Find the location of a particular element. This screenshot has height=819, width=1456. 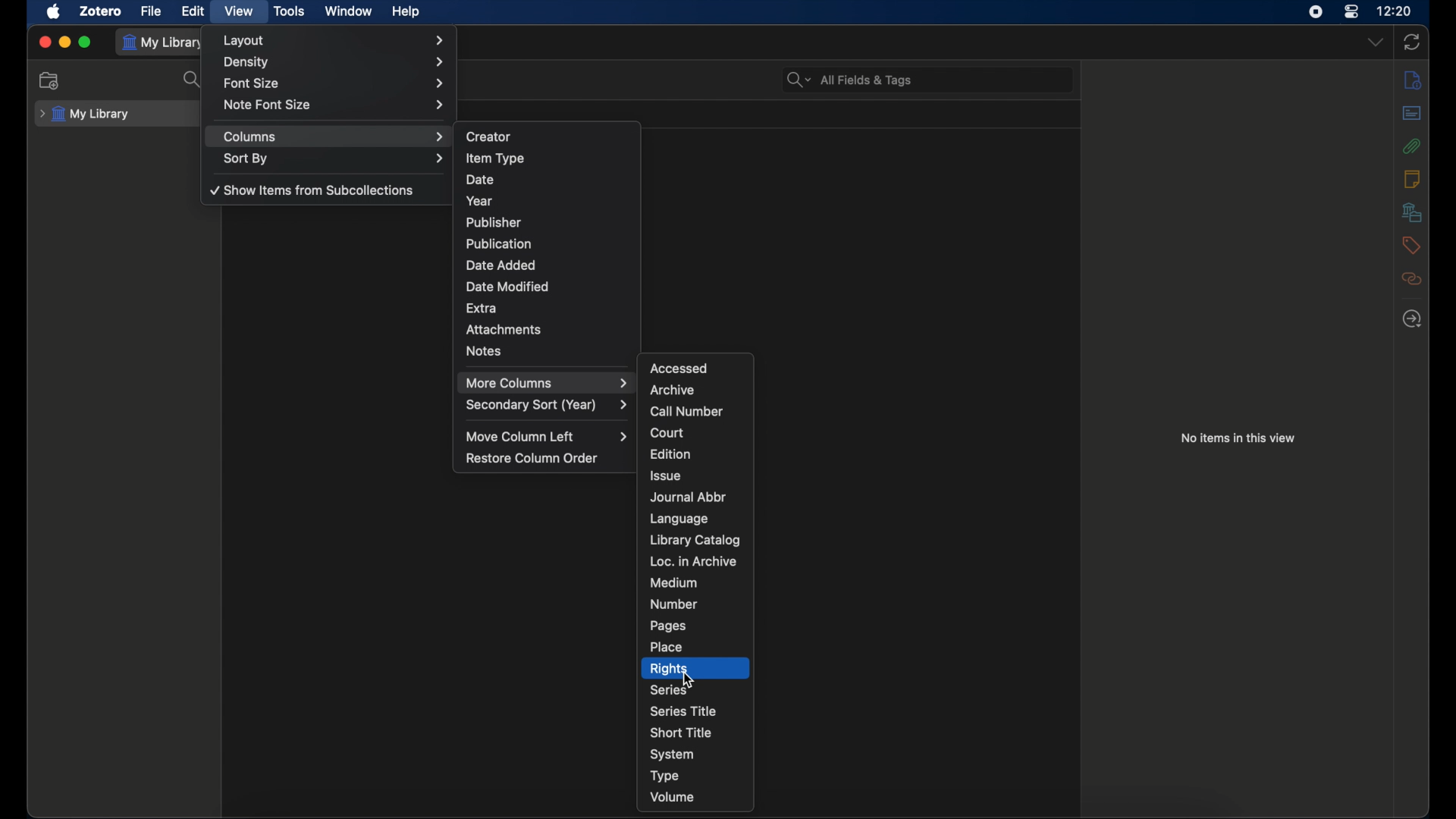

short title is located at coordinates (681, 732).